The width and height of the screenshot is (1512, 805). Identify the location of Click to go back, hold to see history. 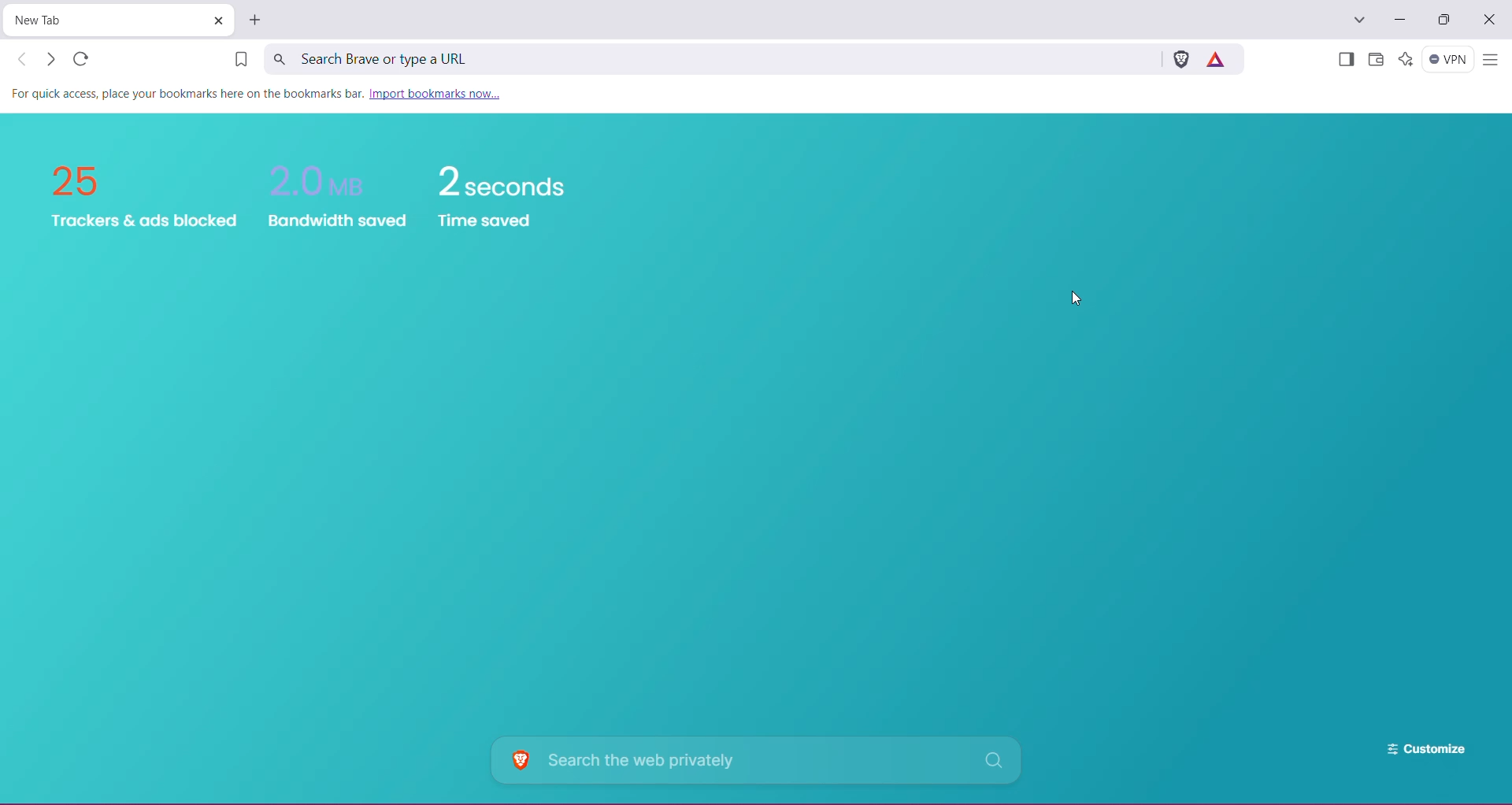
(23, 59).